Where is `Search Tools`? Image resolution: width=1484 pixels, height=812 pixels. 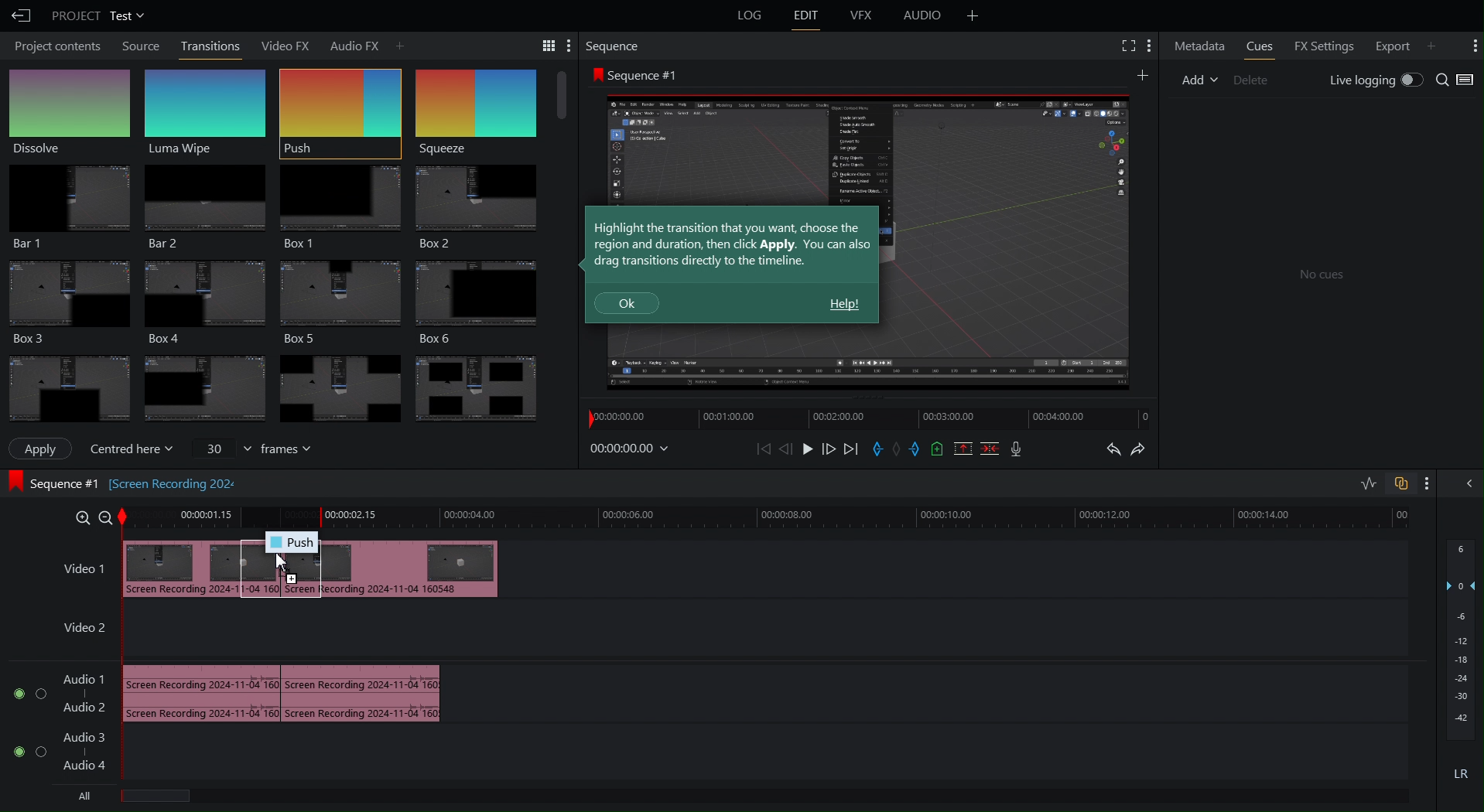
Search Tools is located at coordinates (542, 45).